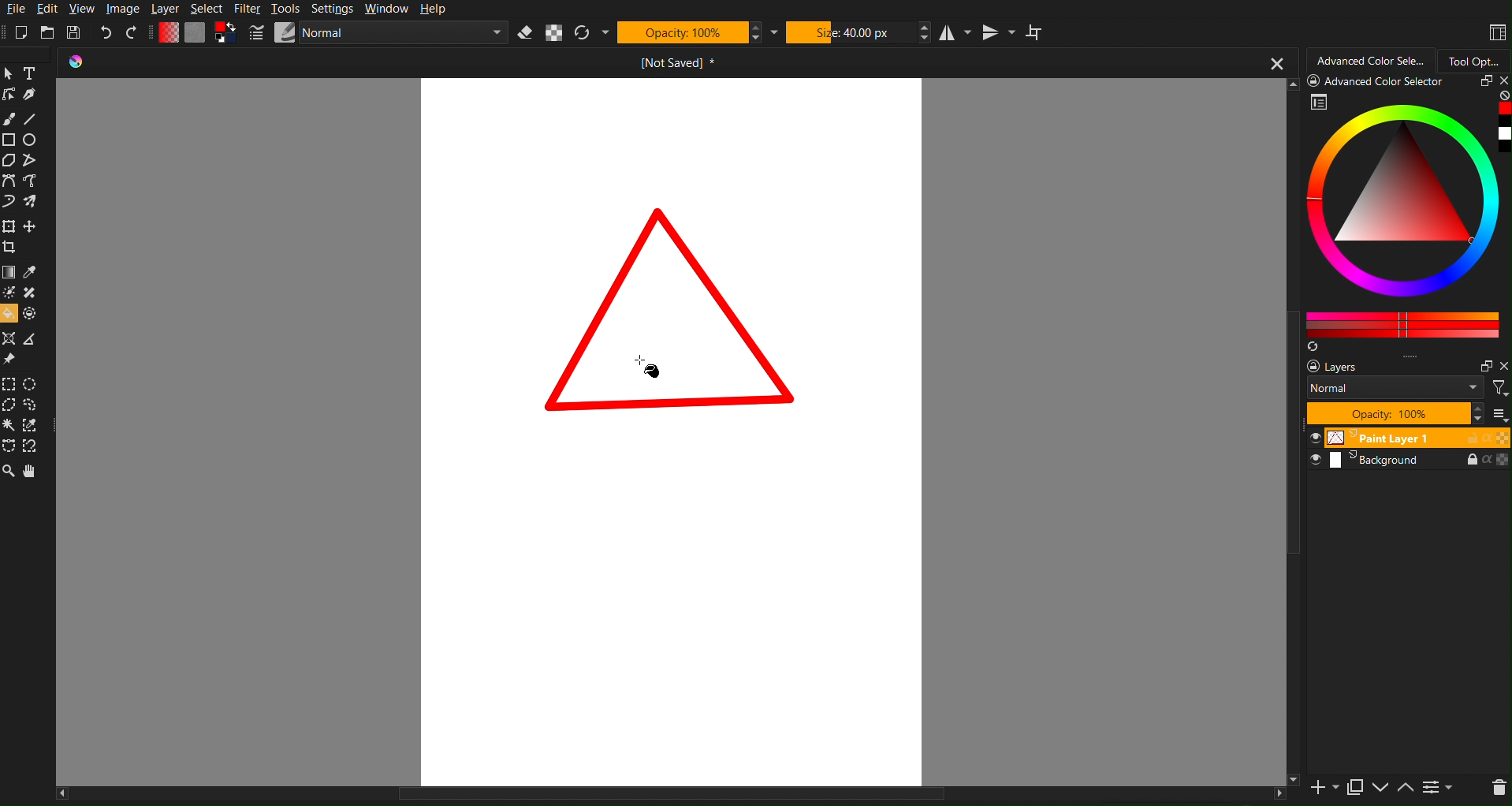 The image size is (1512, 806). Describe the element at coordinates (15, 10) in the screenshot. I see `File` at that location.